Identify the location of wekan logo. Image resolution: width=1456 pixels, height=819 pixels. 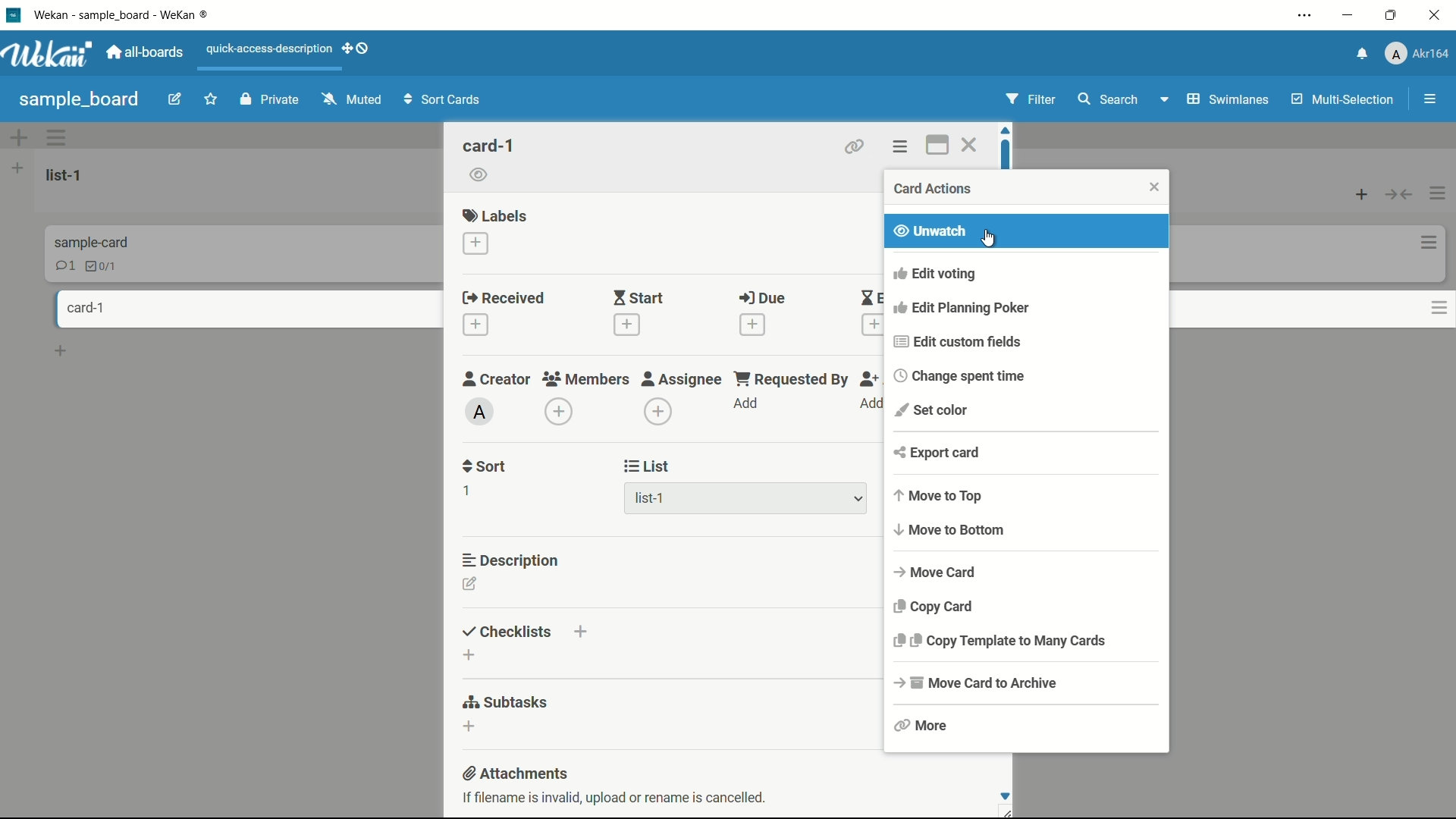
(14, 16).